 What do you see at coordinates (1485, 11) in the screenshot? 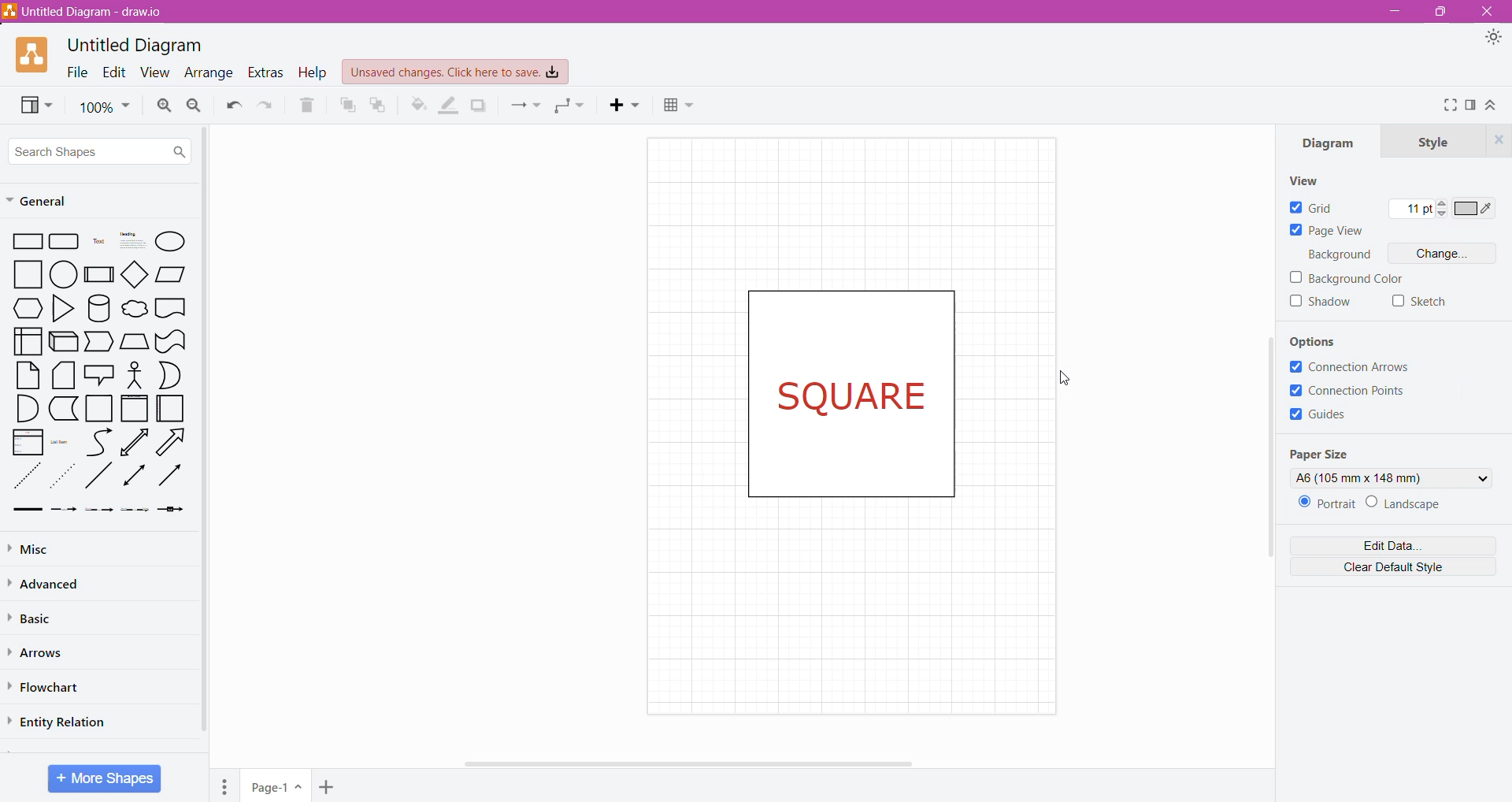
I see `Close` at bounding box center [1485, 11].